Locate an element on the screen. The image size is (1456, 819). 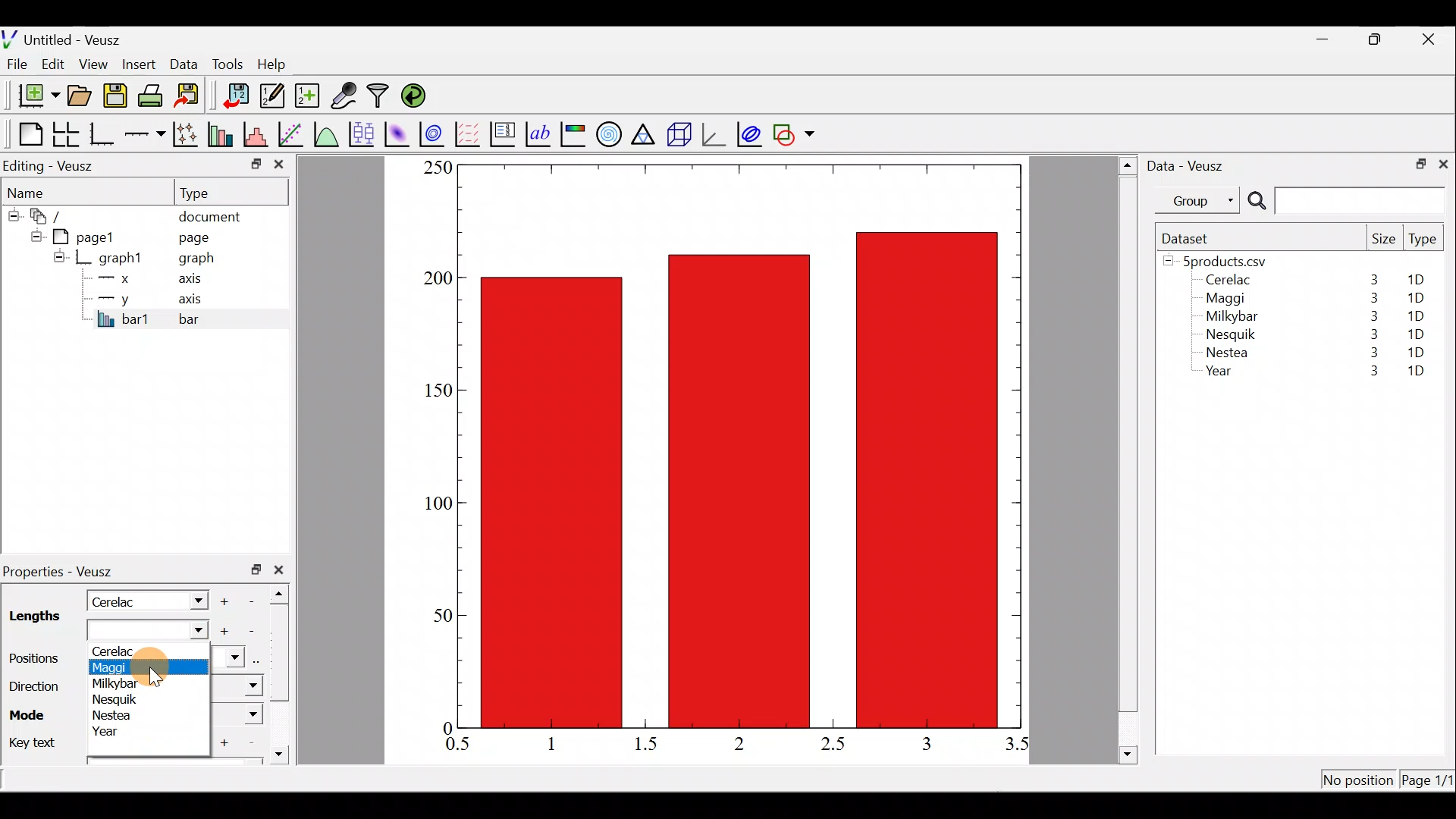
Nestea is located at coordinates (115, 716).